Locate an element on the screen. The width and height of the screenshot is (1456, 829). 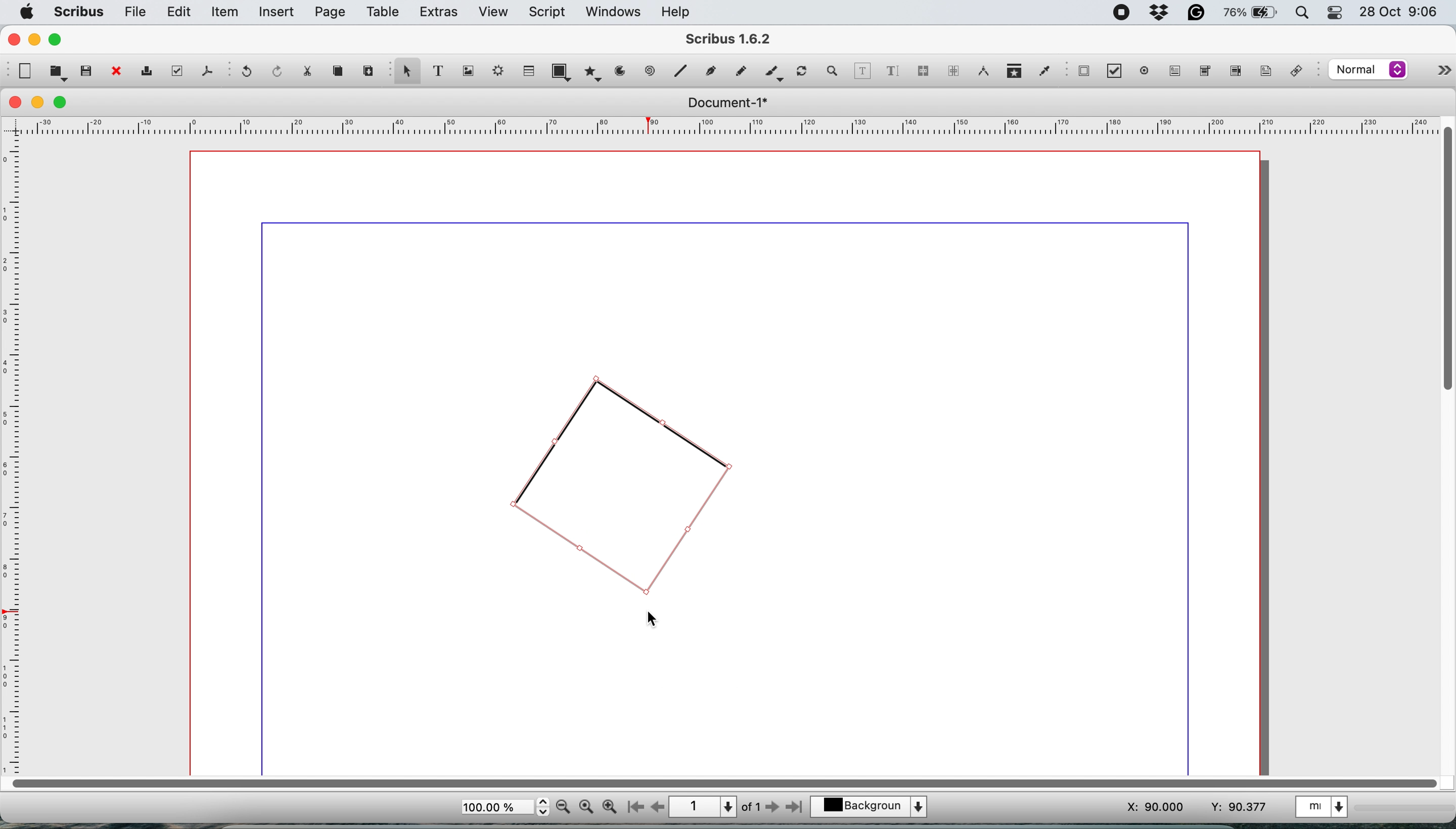
shape is located at coordinates (561, 71).